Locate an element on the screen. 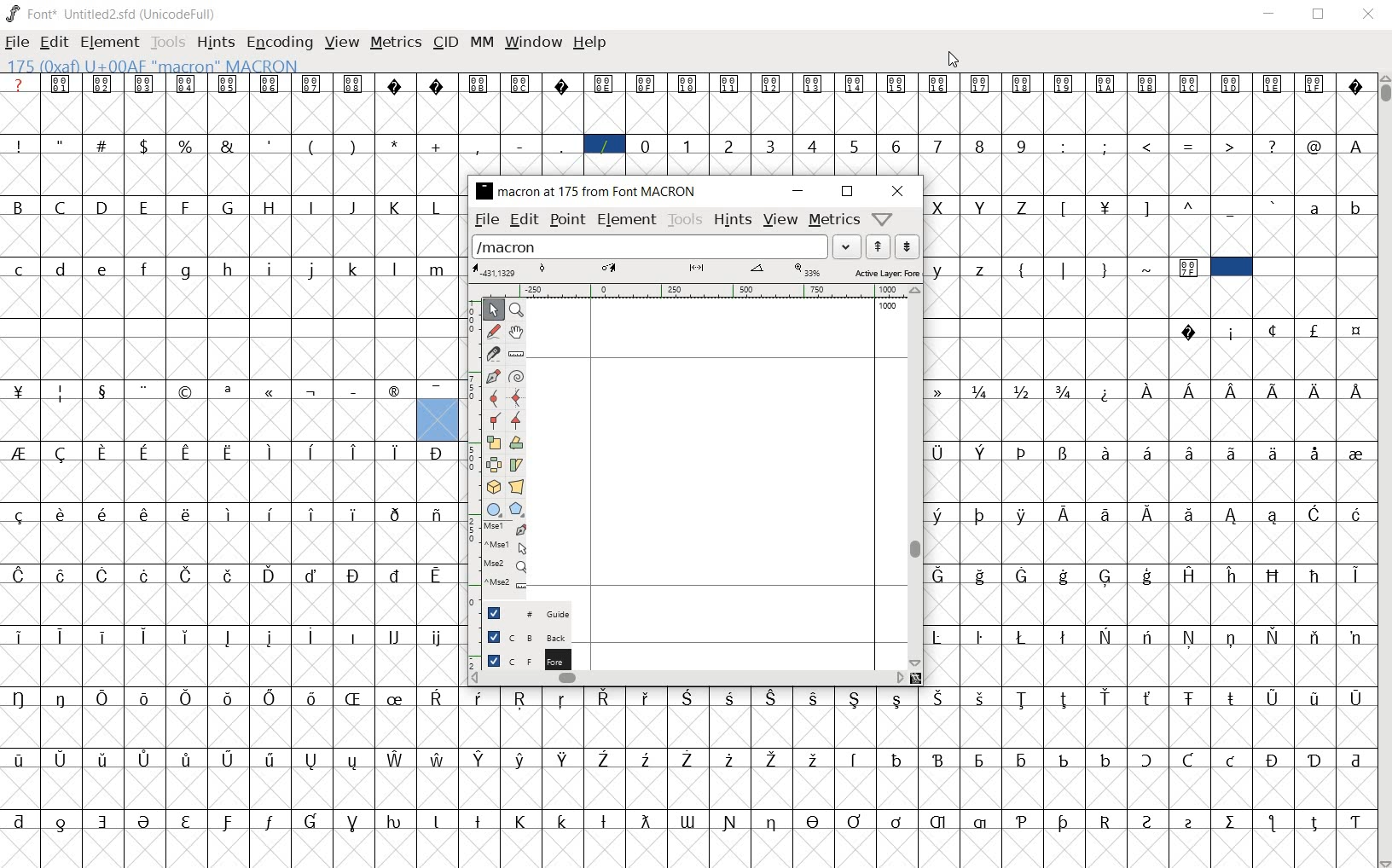 This screenshot has width=1392, height=868. Symbol is located at coordinates (565, 821).